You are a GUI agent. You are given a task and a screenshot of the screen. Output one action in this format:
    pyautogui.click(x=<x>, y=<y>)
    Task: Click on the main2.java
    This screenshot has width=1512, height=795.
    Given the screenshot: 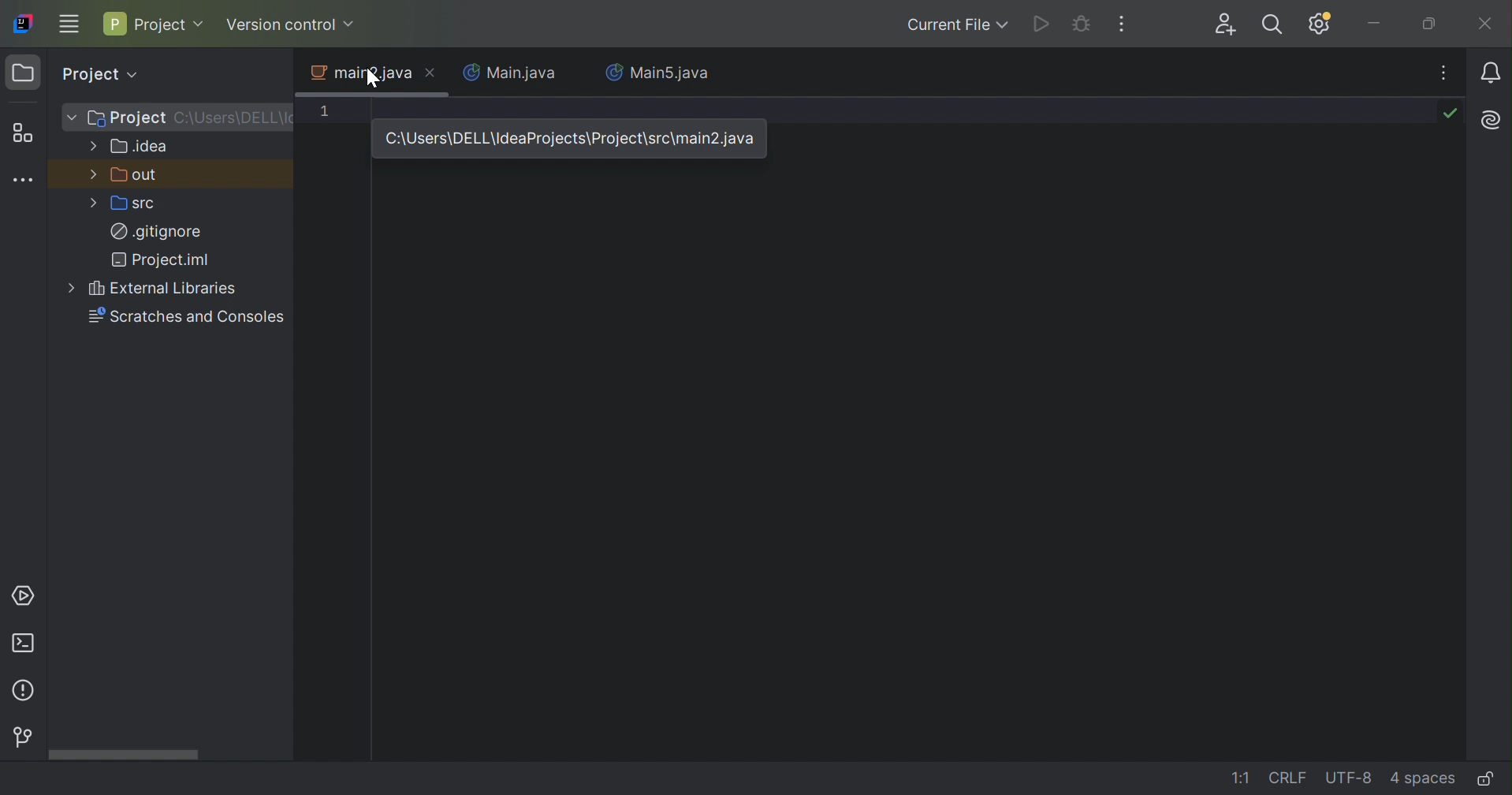 What is the action you would take?
    pyautogui.click(x=363, y=72)
    